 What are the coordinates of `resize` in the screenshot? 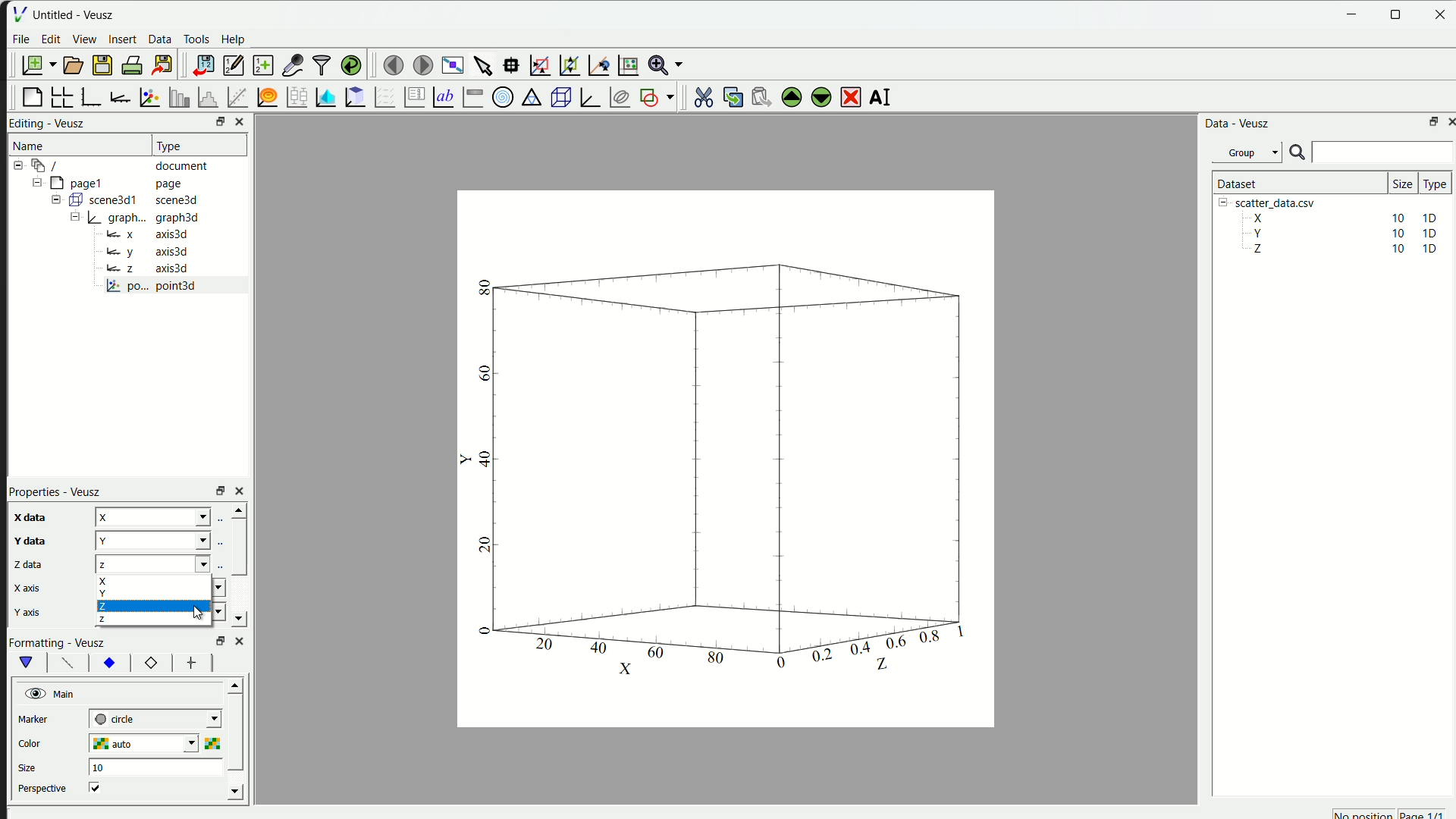 It's located at (215, 123).